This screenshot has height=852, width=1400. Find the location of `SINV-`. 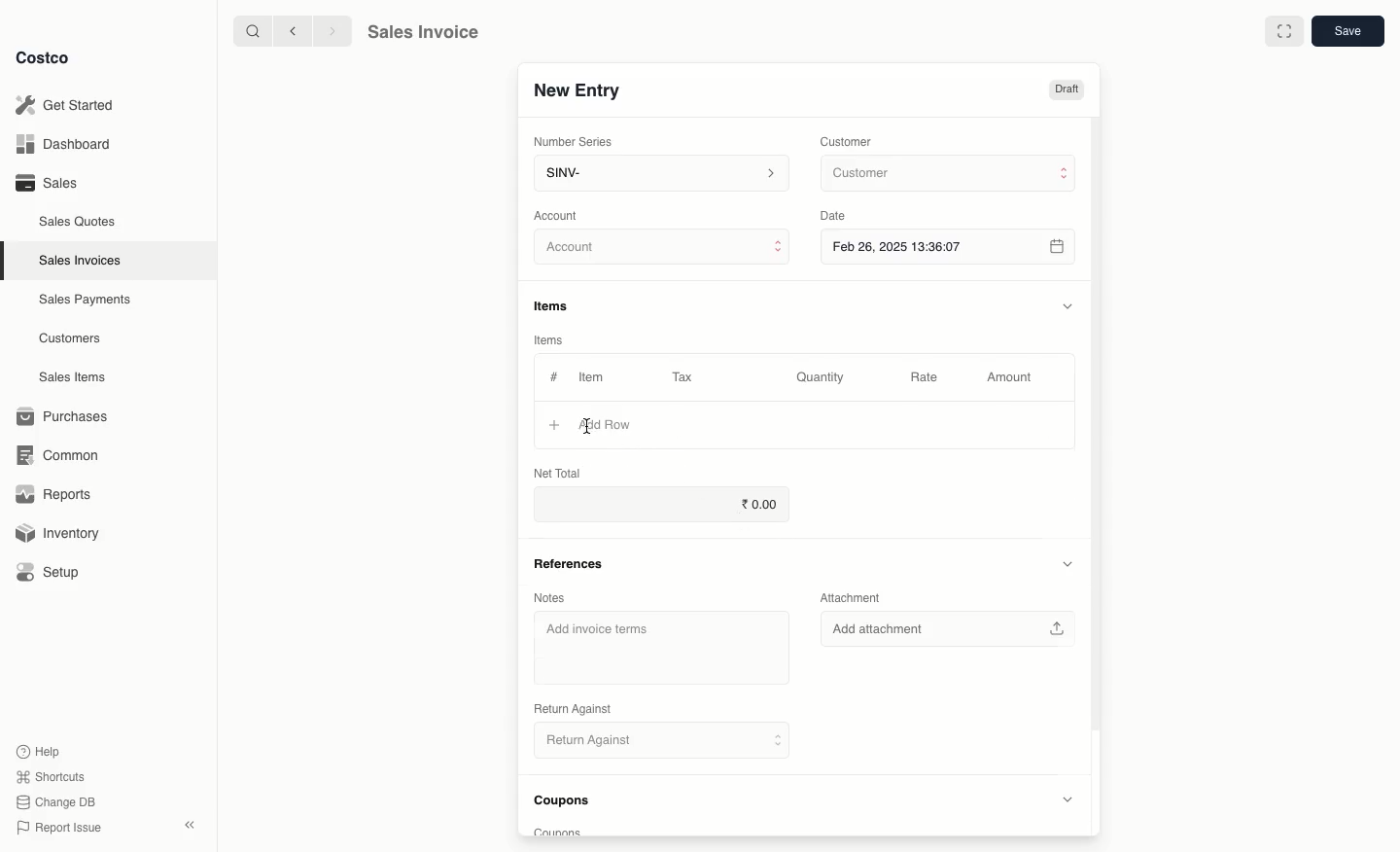

SINV- is located at coordinates (660, 175).